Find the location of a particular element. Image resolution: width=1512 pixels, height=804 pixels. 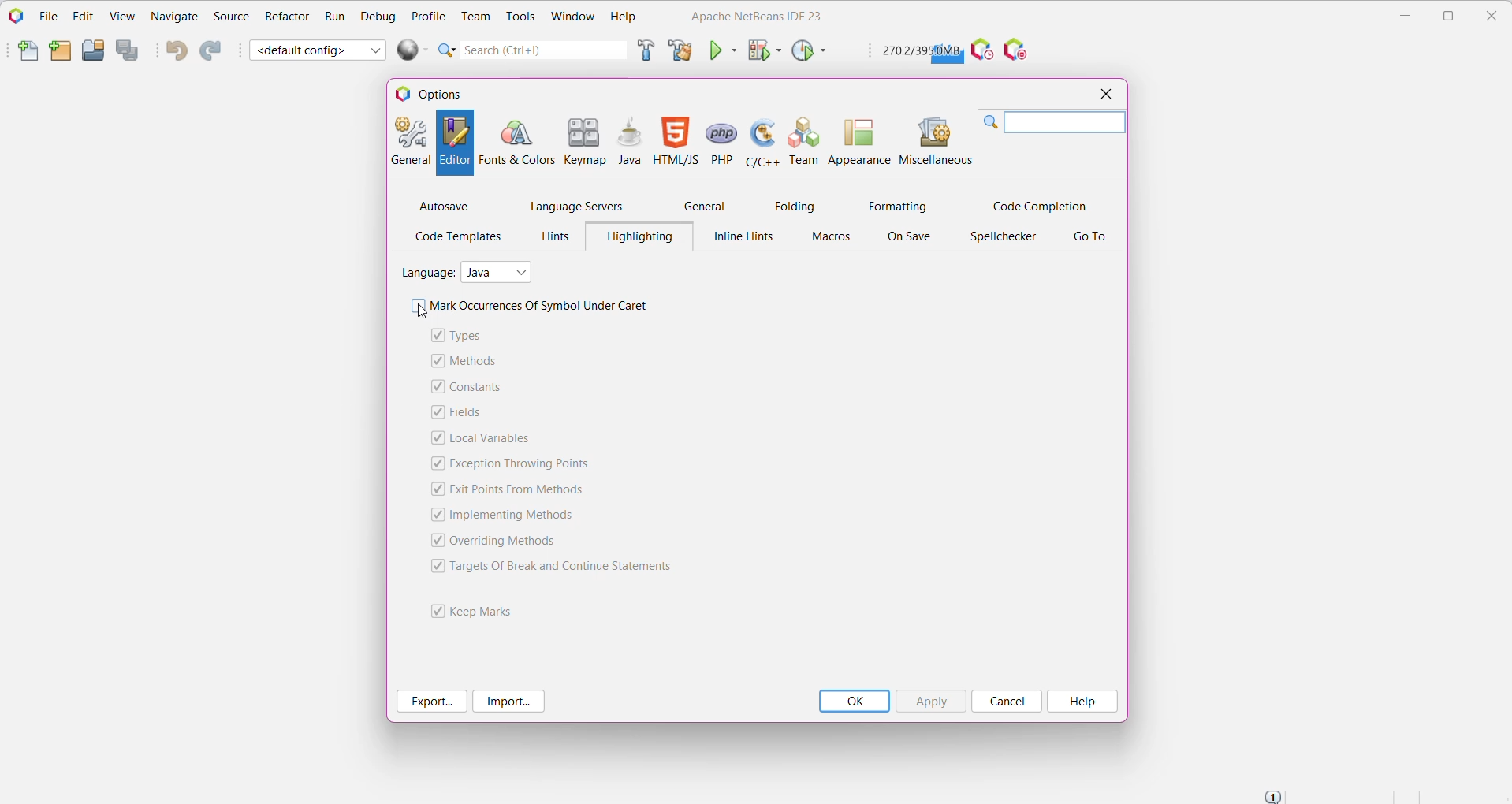

View is located at coordinates (121, 17).